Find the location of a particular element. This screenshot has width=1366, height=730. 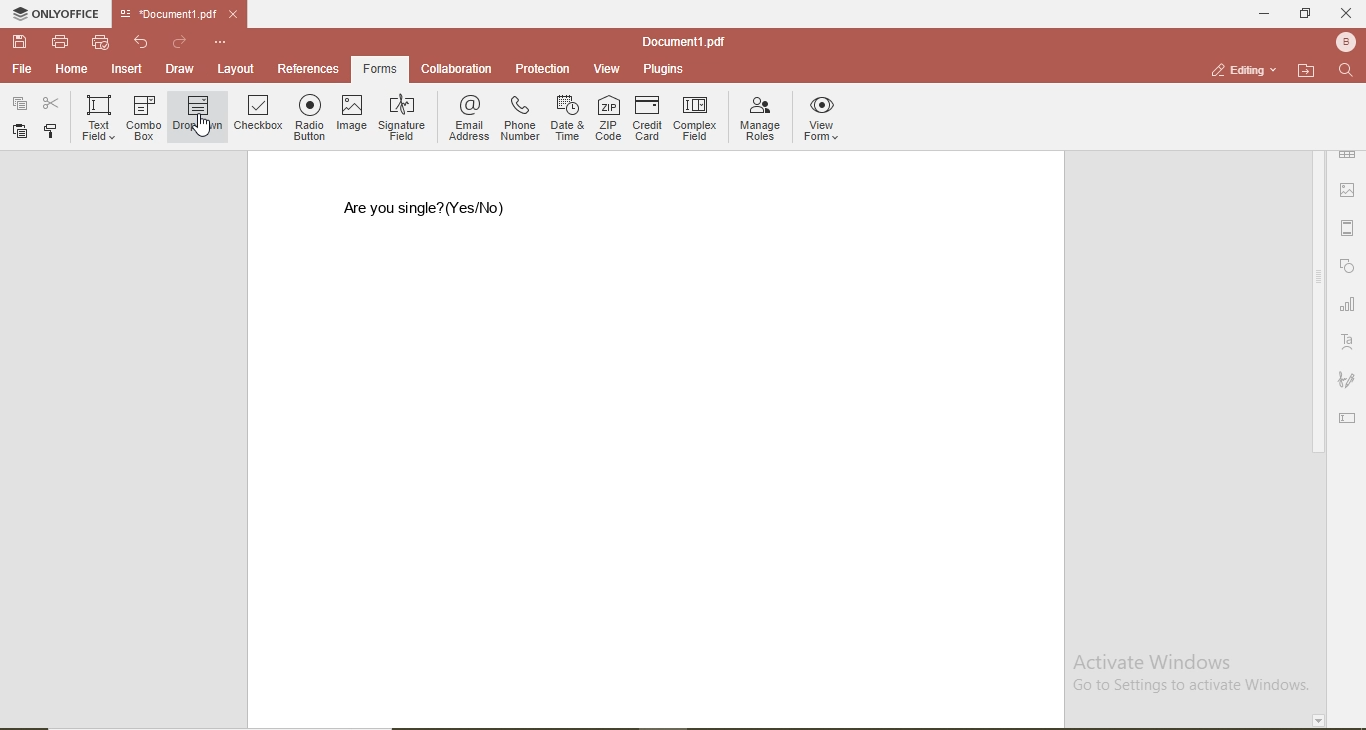

collaboration is located at coordinates (456, 69).